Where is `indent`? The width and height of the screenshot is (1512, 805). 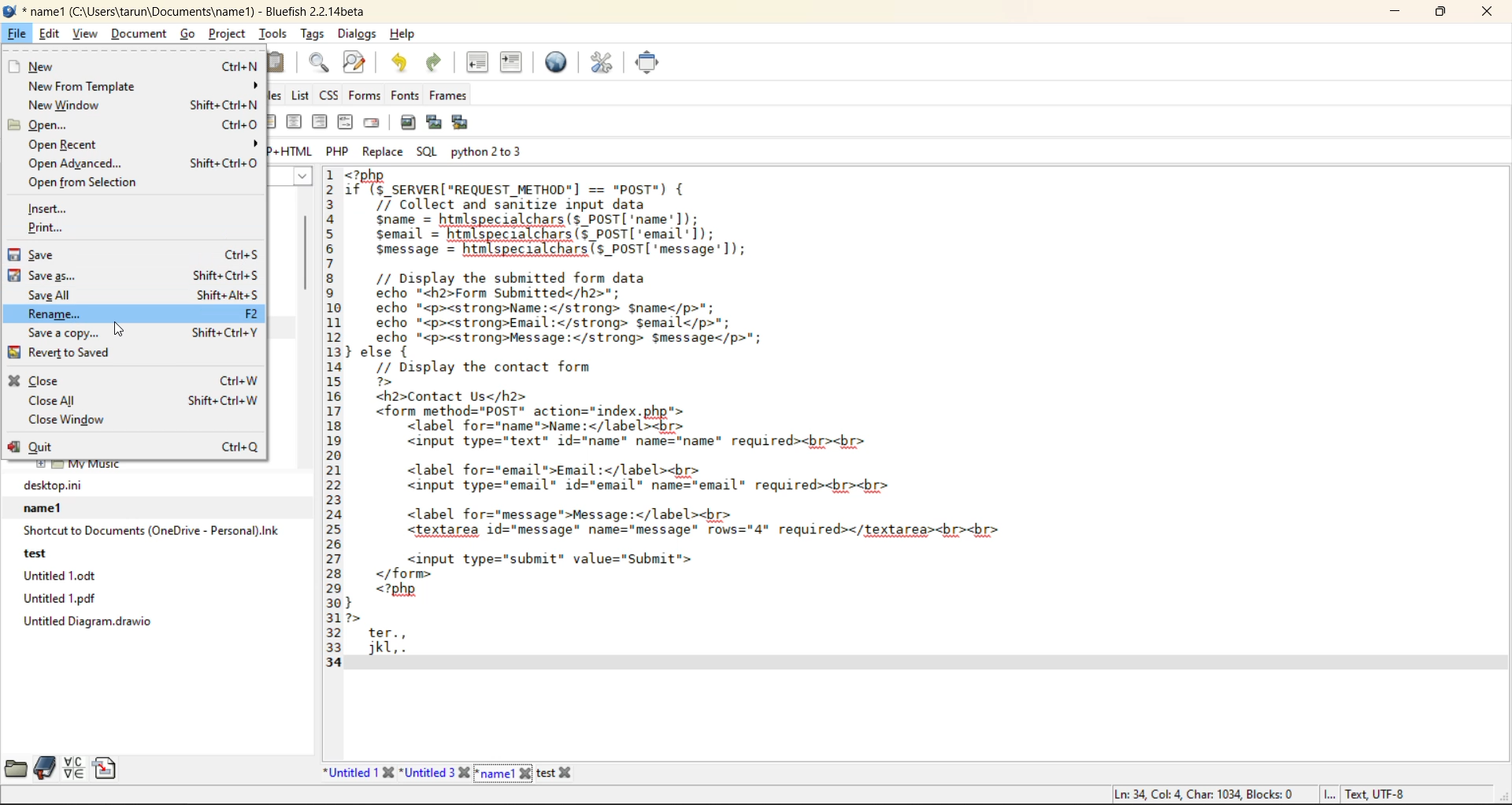 indent is located at coordinates (513, 65).